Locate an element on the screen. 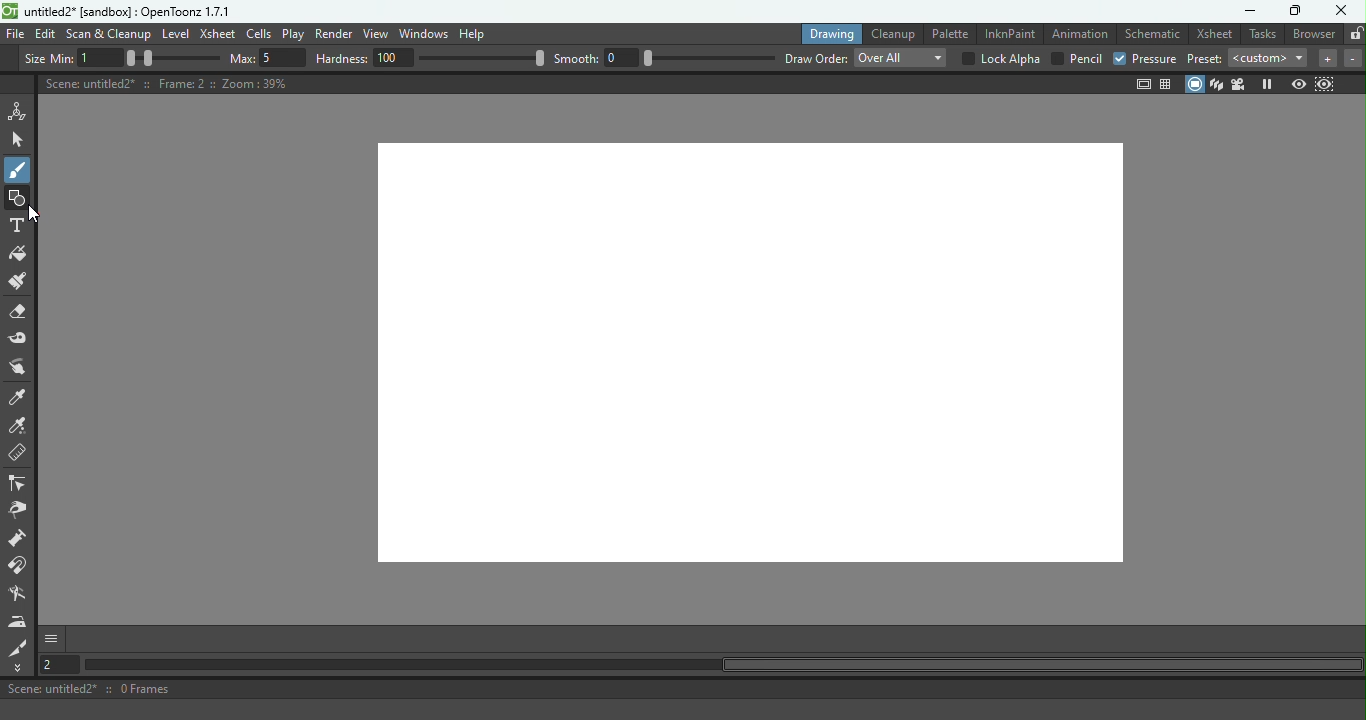 Image resolution: width=1366 pixels, height=720 pixels. Level is located at coordinates (175, 34).